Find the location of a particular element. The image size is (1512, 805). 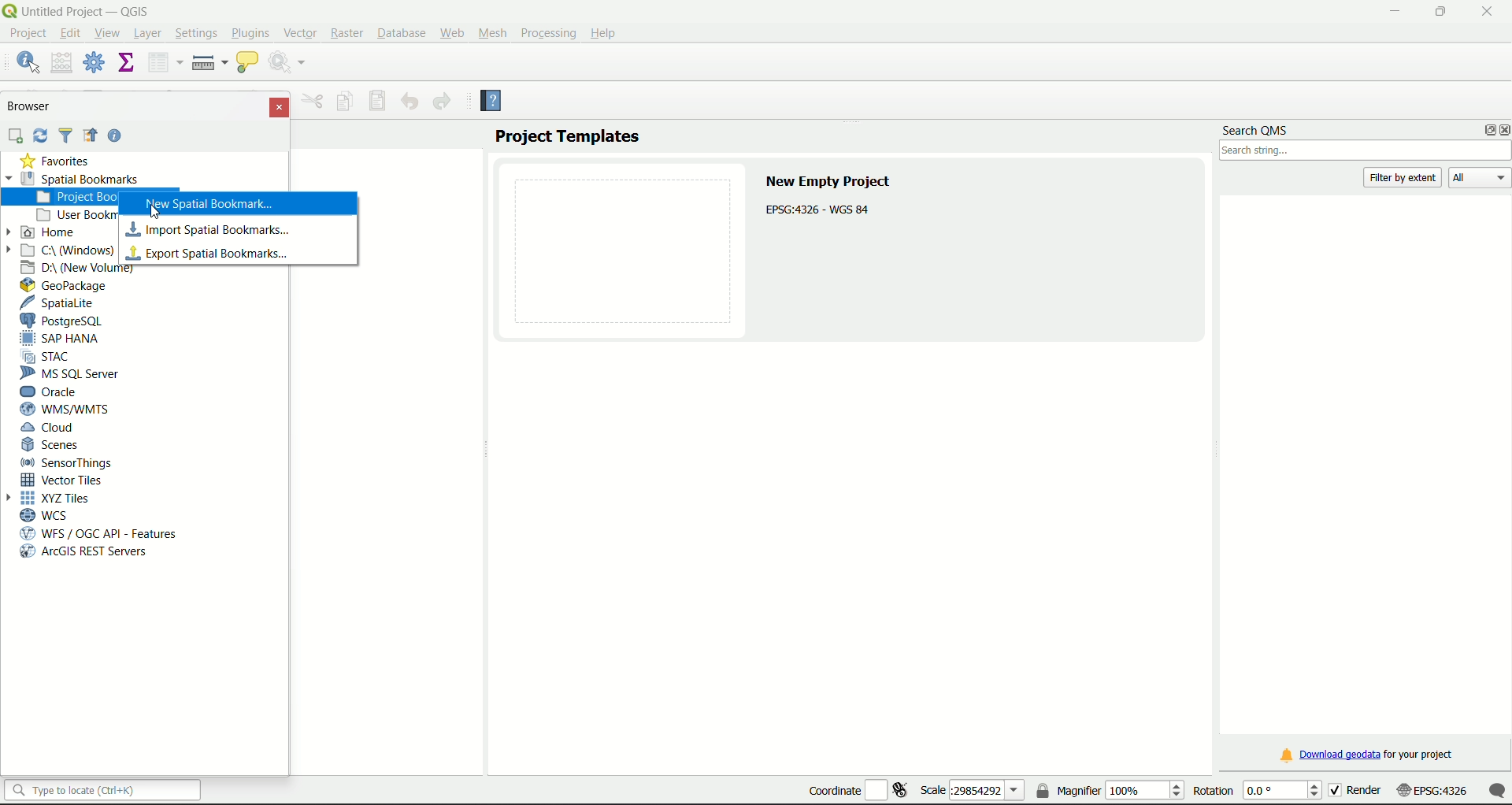

Help is located at coordinates (116, 137).